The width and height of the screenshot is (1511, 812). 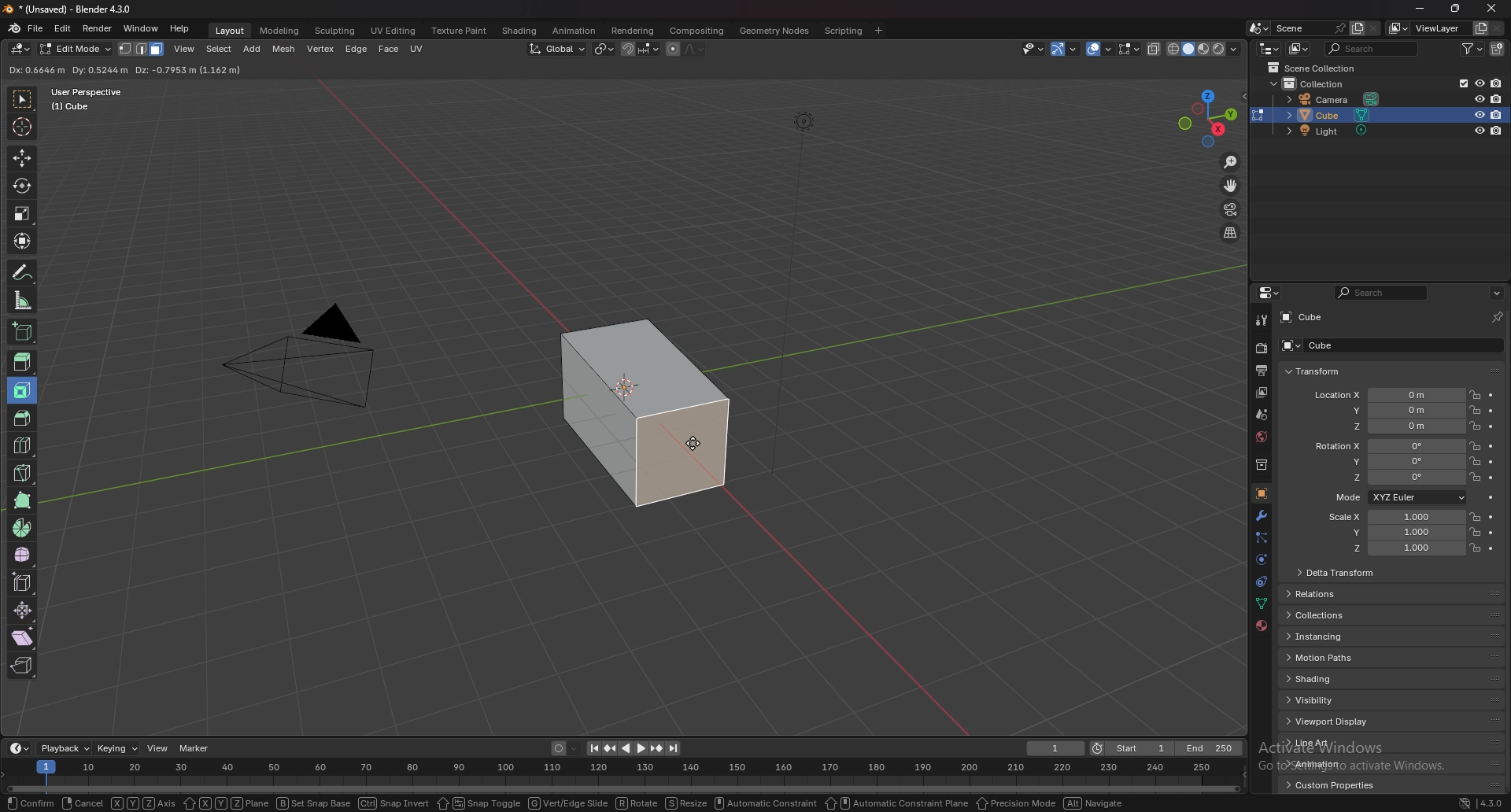 I want to click on world, so click(x=1261, y=437).